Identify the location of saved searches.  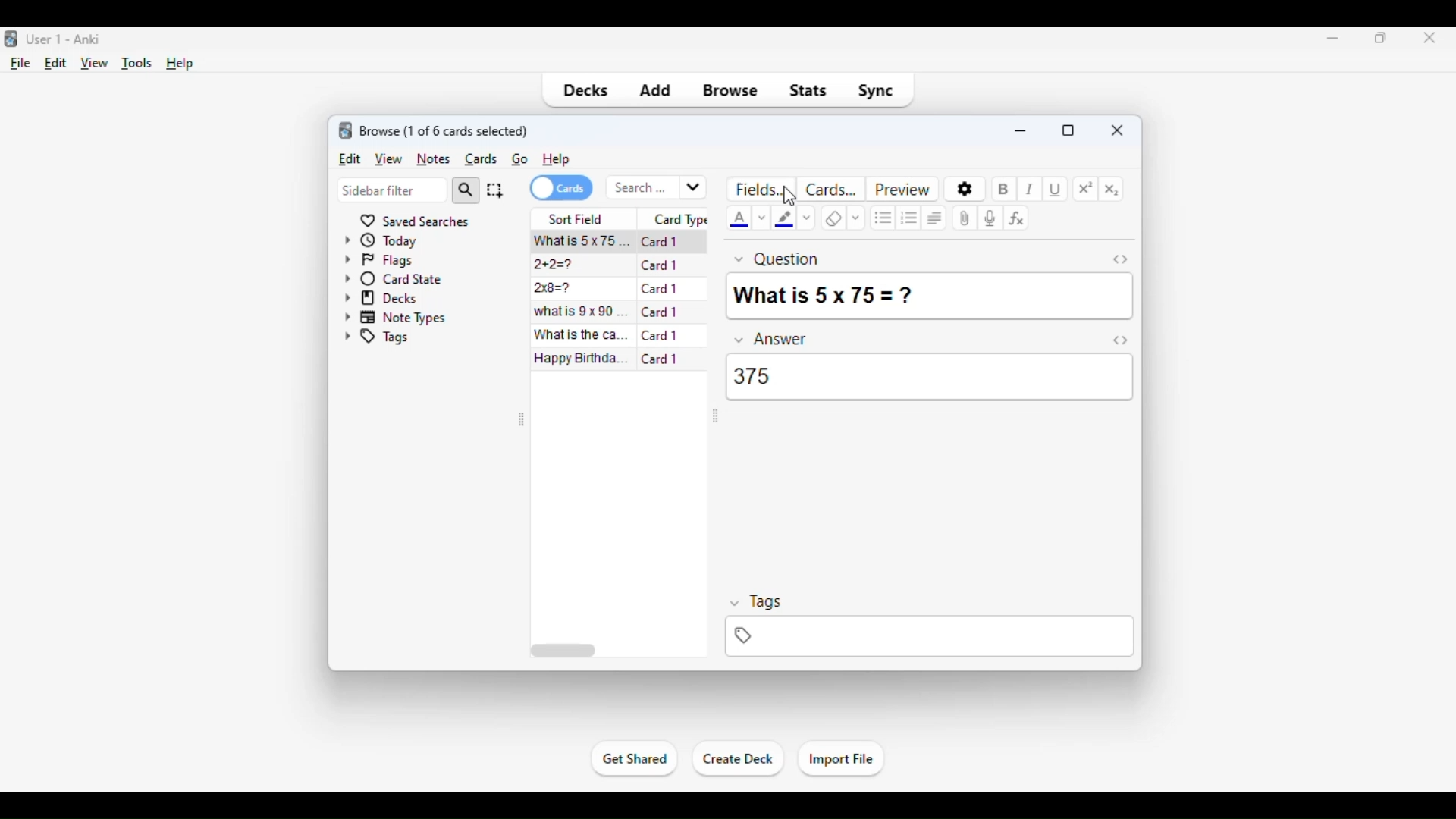
(413, 219).